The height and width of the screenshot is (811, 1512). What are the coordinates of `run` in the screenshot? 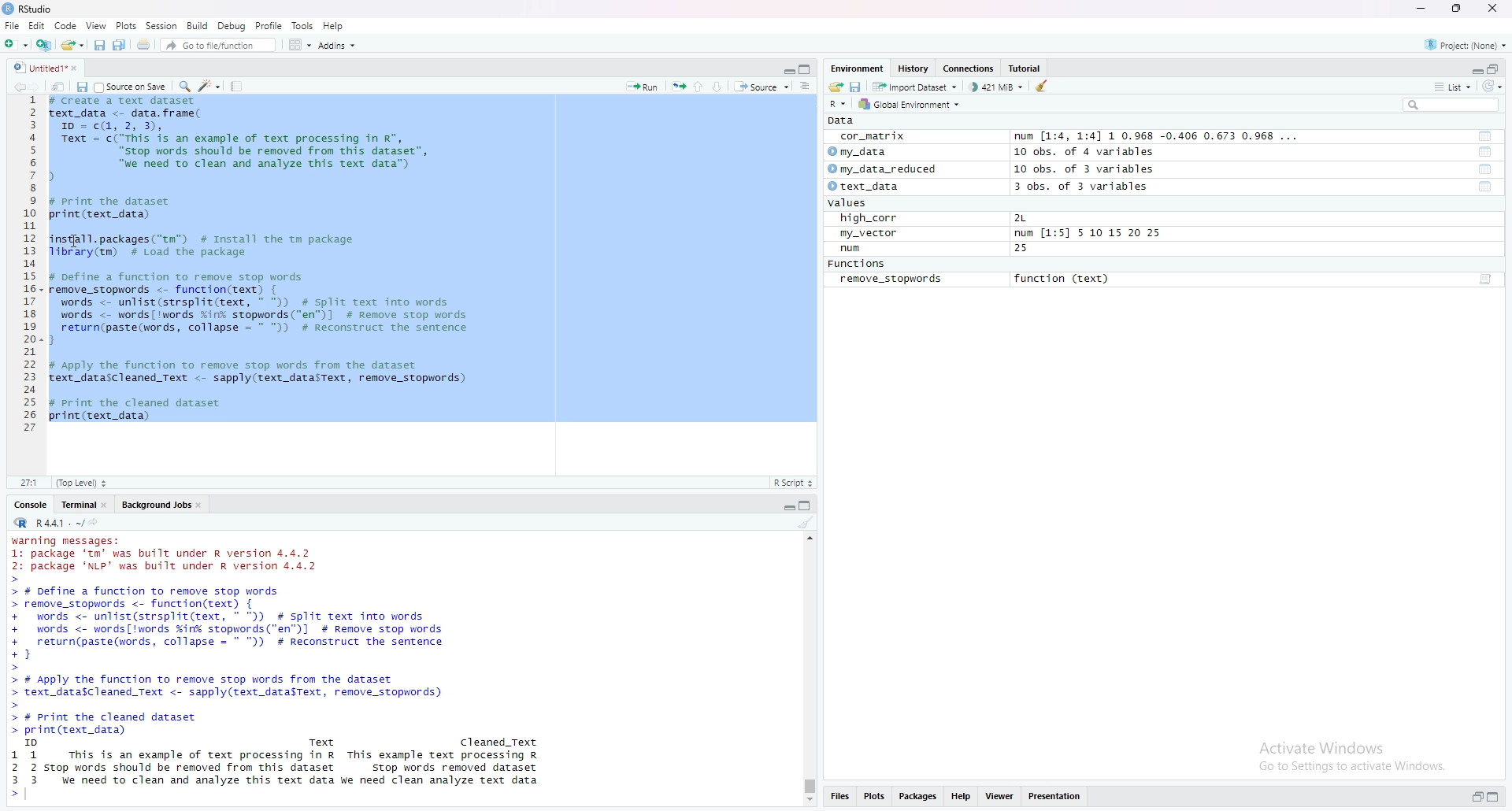 It's located at (642, 87).